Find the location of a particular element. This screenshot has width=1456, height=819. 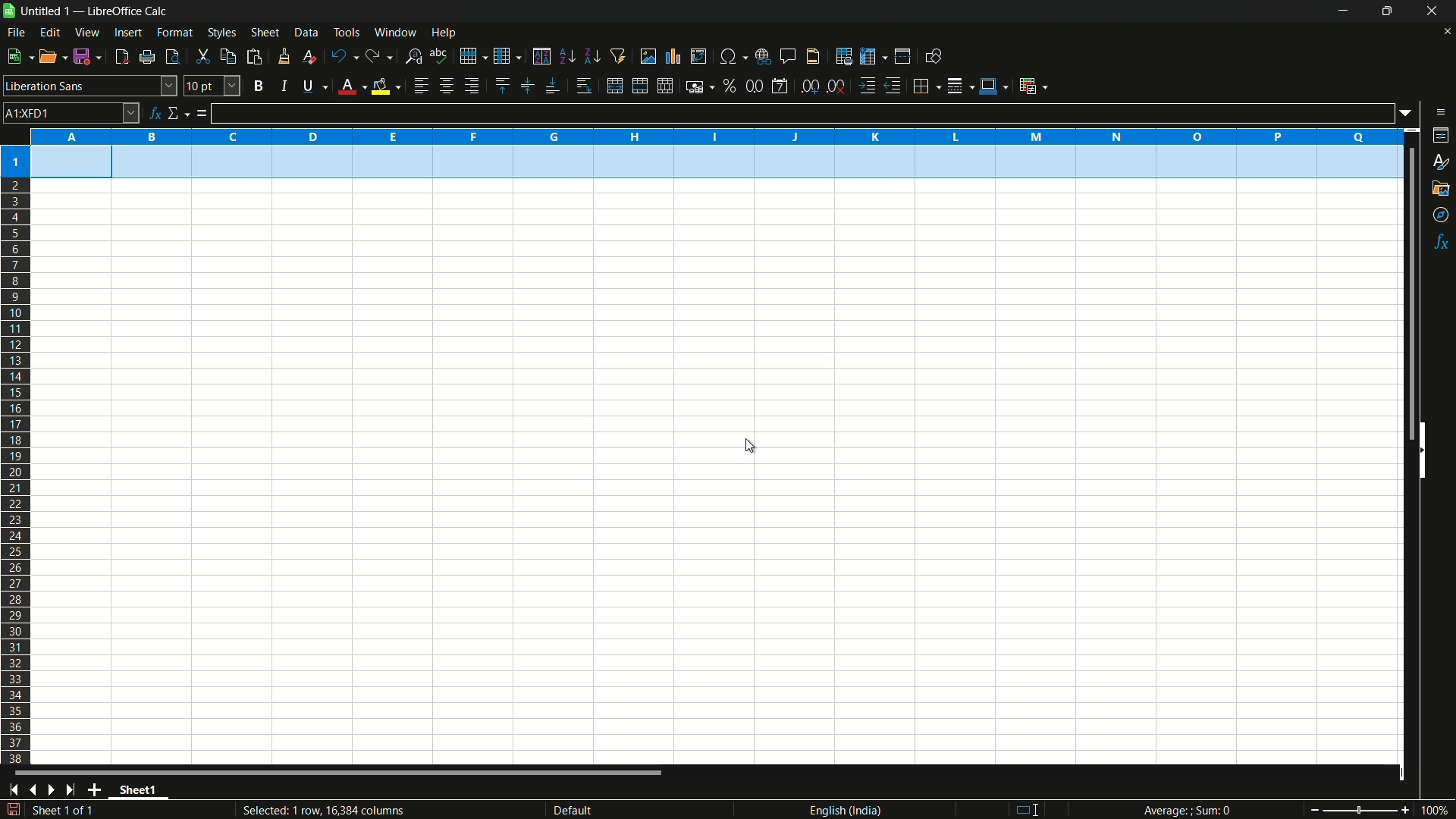

toggle print review is located at coordinates (171, 57).